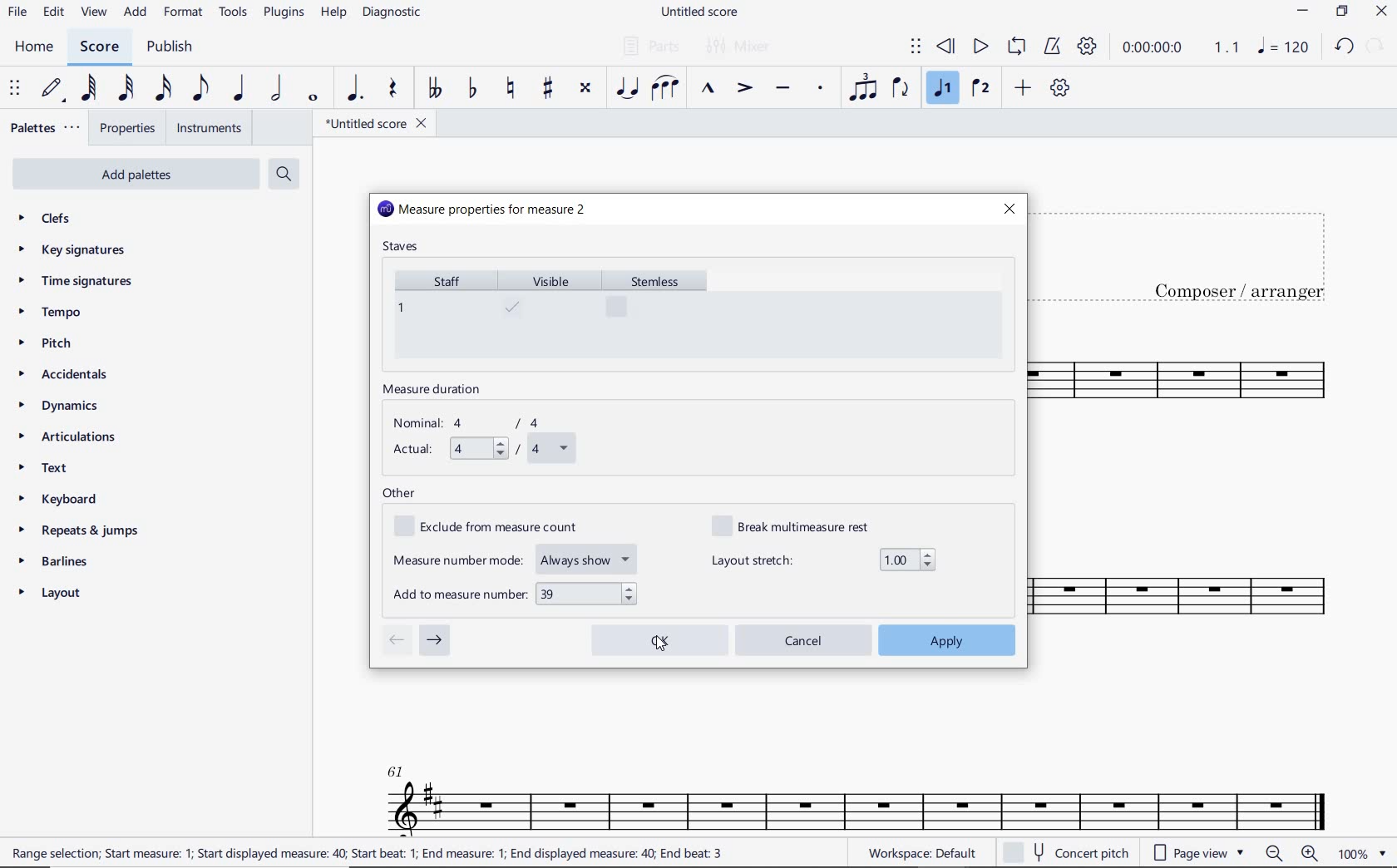  I want to click on break multimeasure rest, so click(802, 525).